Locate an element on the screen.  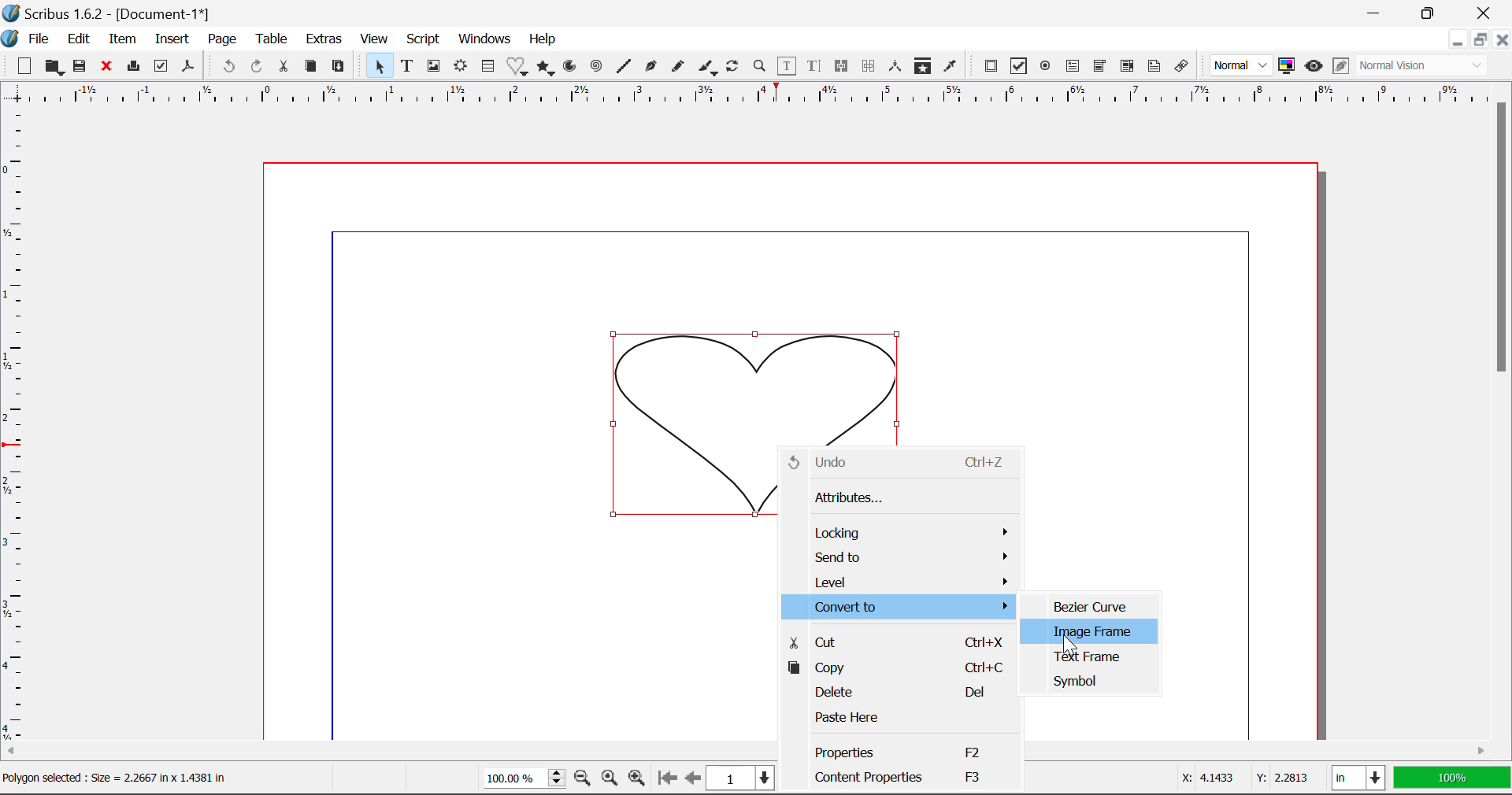
Cut is located at coordinates (896, 640).